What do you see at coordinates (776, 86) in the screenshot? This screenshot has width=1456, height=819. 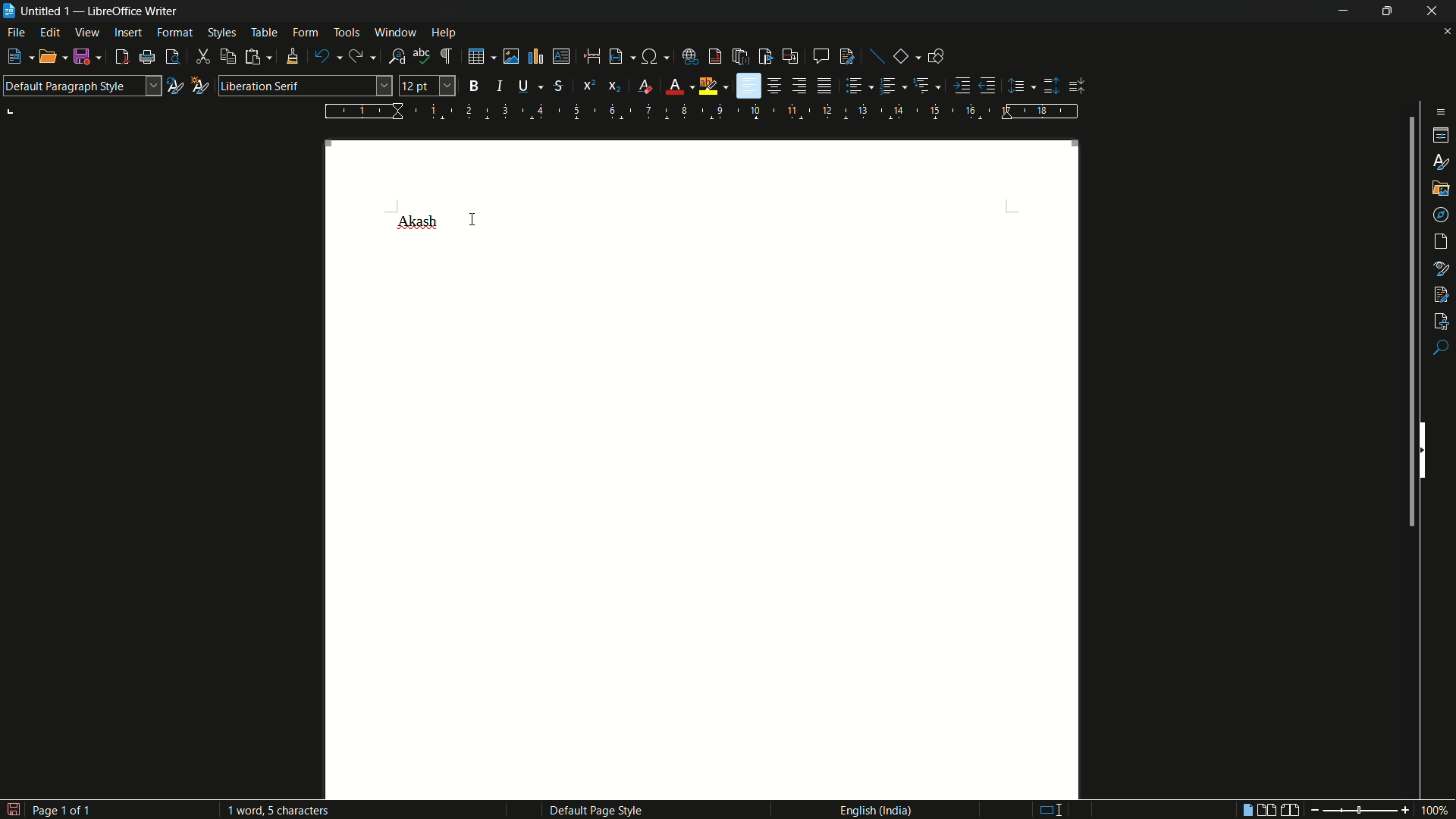 I see `align center` at bounding box center [776, 86].